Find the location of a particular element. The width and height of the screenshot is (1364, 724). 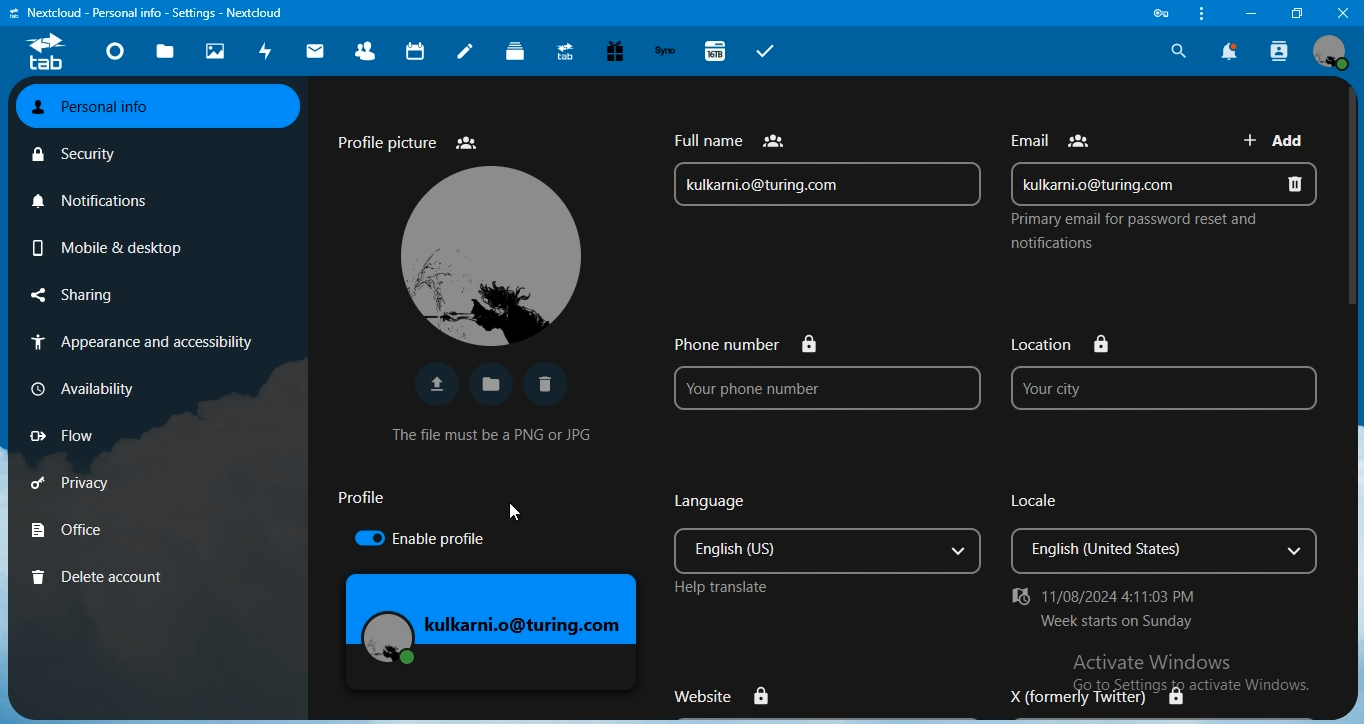

search contact is located at coordinates (1281, 51).